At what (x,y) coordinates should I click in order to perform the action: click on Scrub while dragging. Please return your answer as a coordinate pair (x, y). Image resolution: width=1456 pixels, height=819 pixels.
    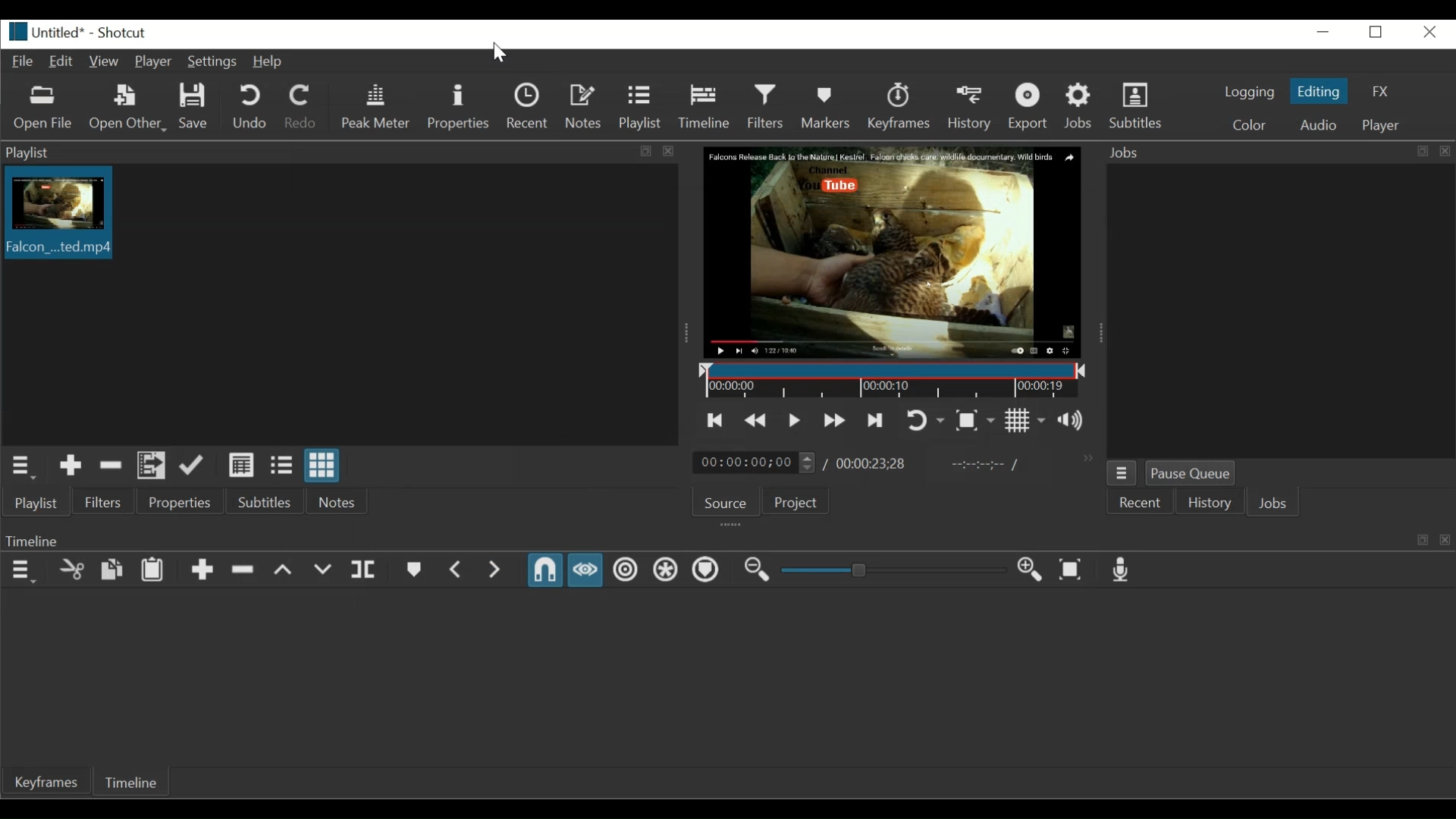
    Looking at the image, I should click on (588, 570).